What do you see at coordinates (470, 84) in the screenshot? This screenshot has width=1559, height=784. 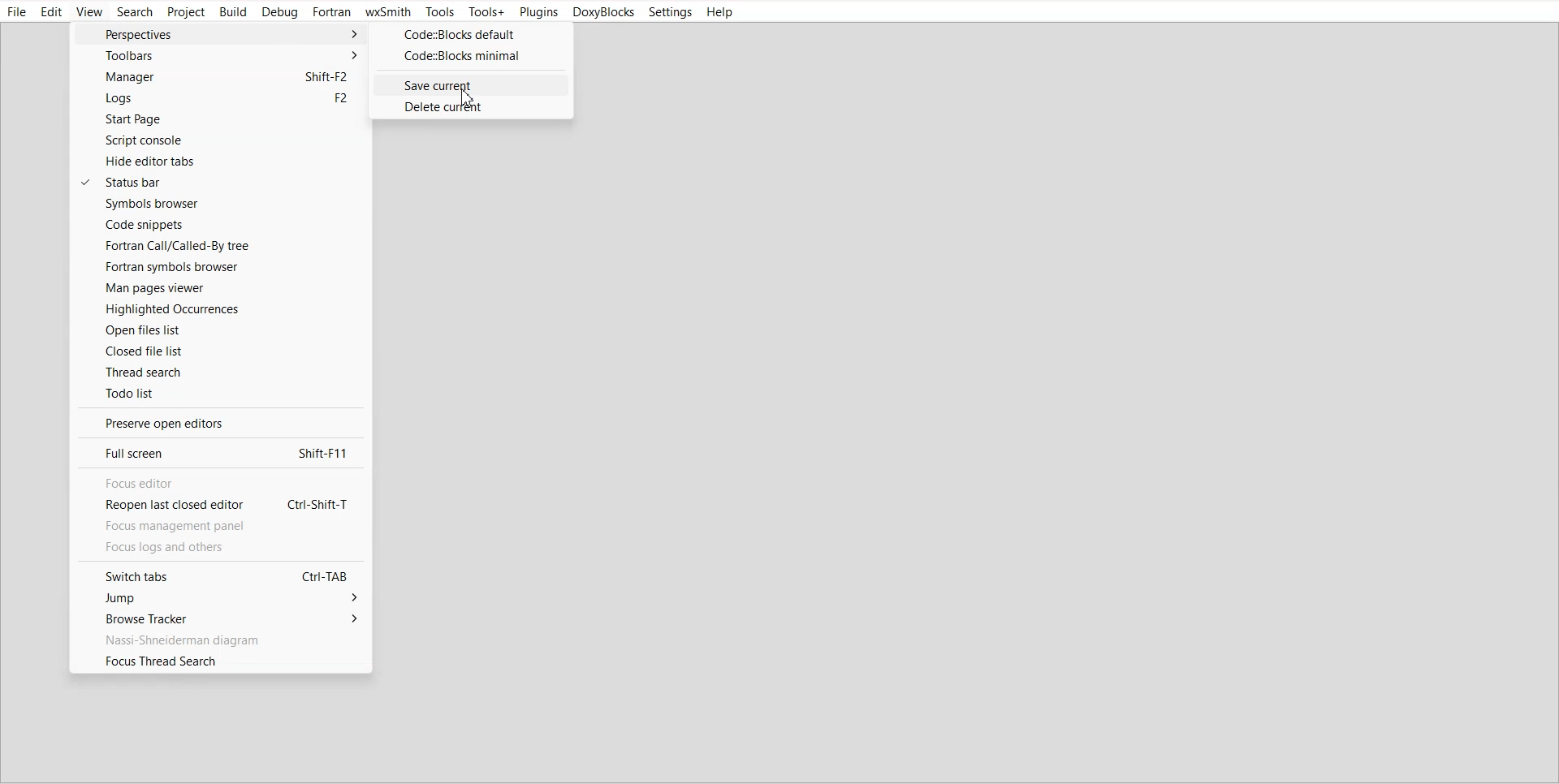 I see `Save current` at bounding box center [470, 84].